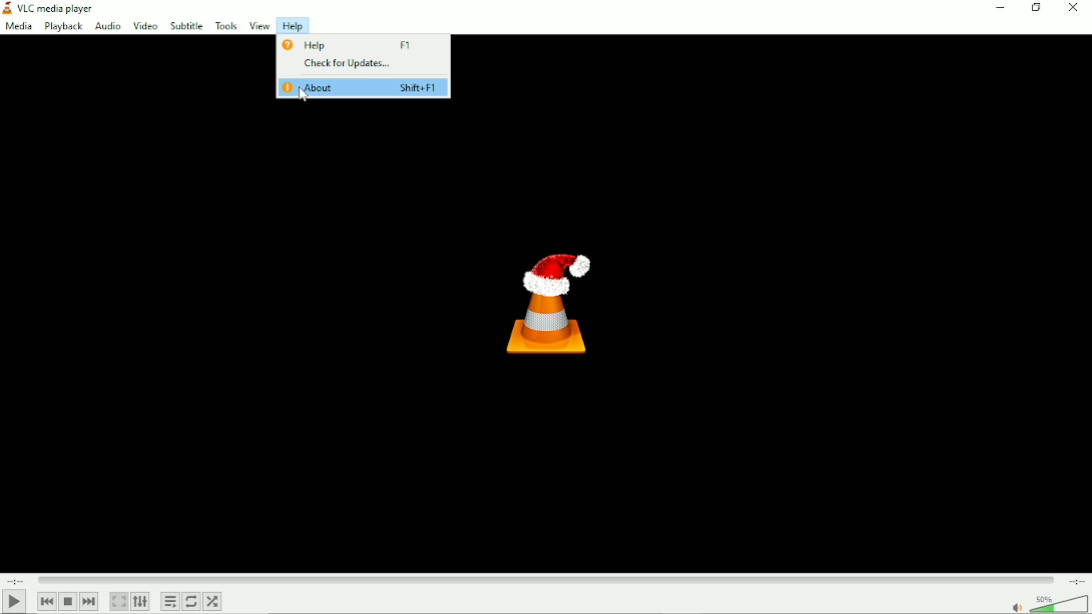  Describe the element at coordinates (140, 601) in the screenshot. I see `Show extended settings` at that location.